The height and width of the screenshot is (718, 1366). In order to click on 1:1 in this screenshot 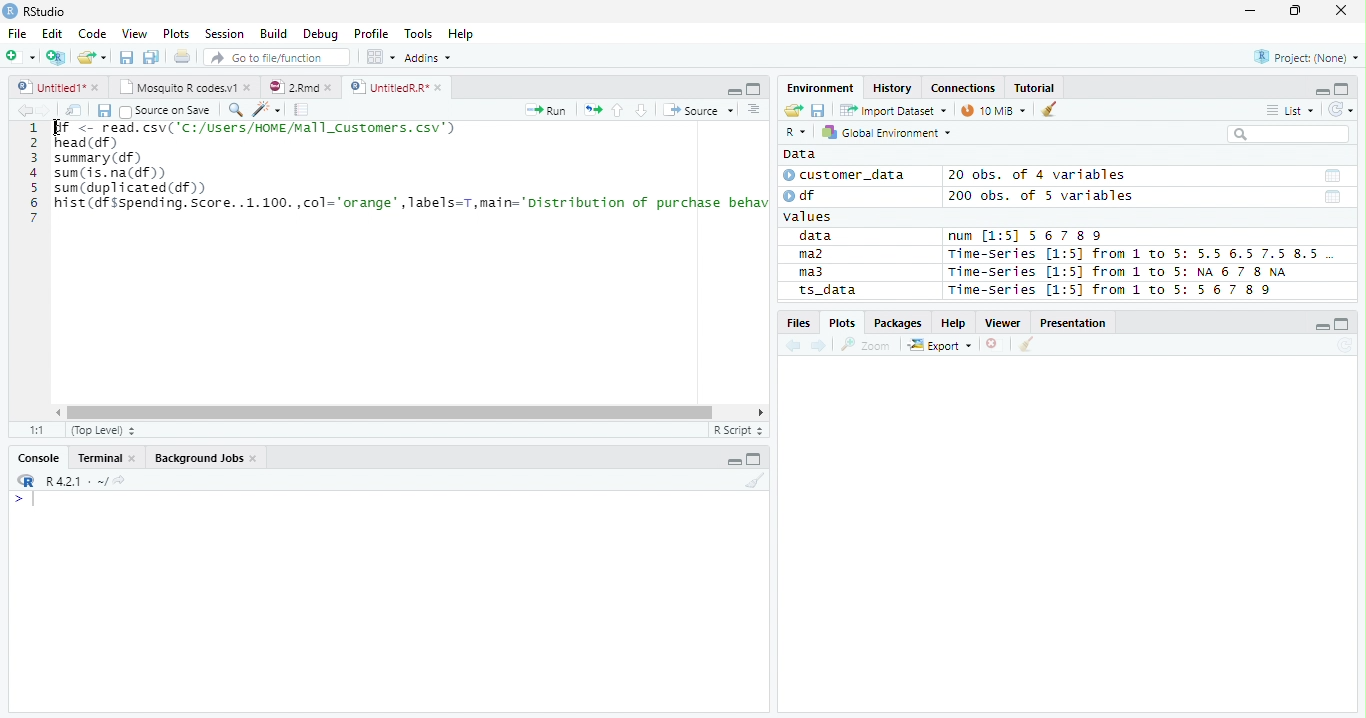, I will do `click(37, 430)`.